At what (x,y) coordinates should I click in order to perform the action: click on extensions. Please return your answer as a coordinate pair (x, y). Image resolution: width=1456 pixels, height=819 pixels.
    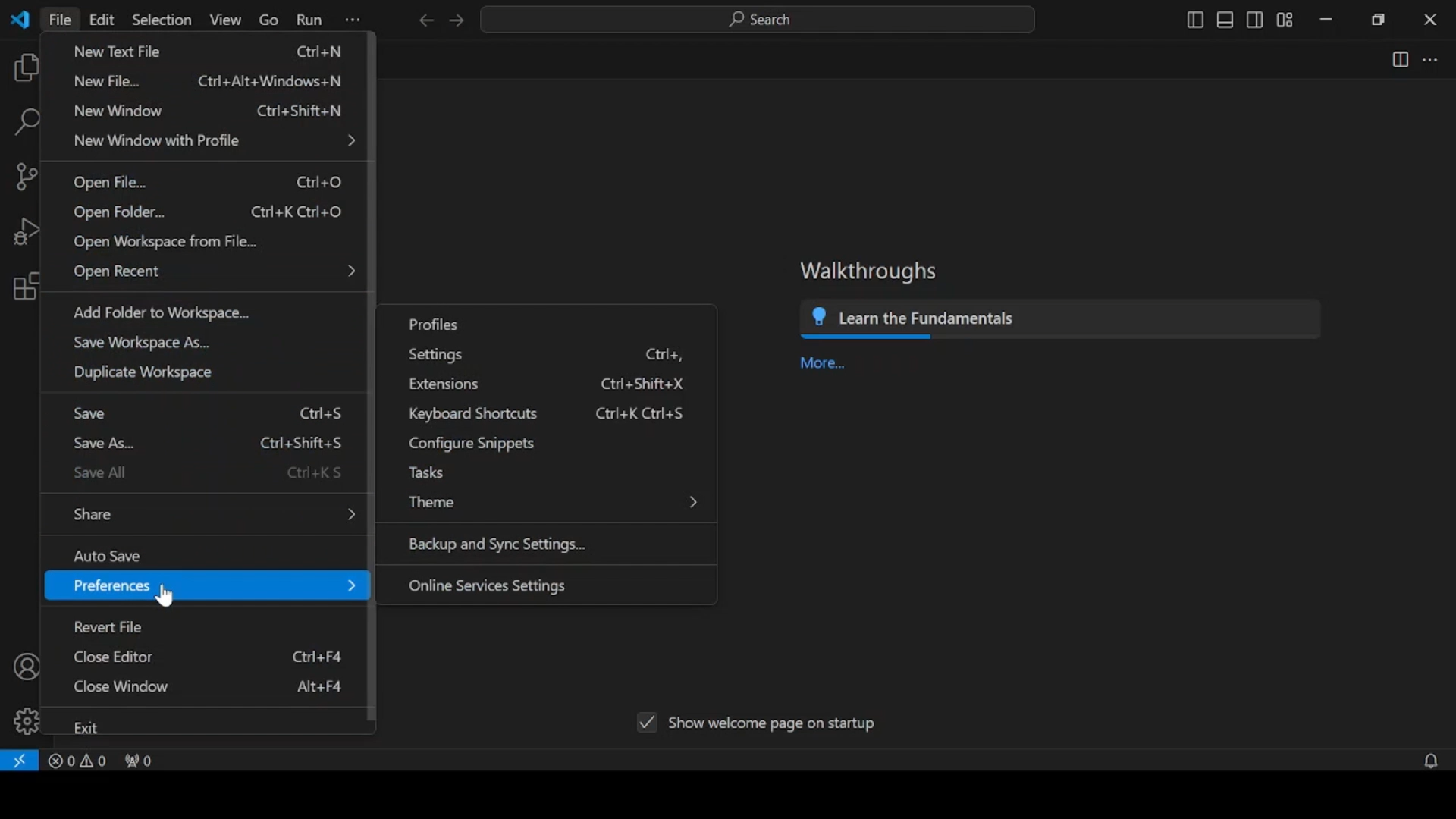
    Looking at the image, I should click on (445, 384).